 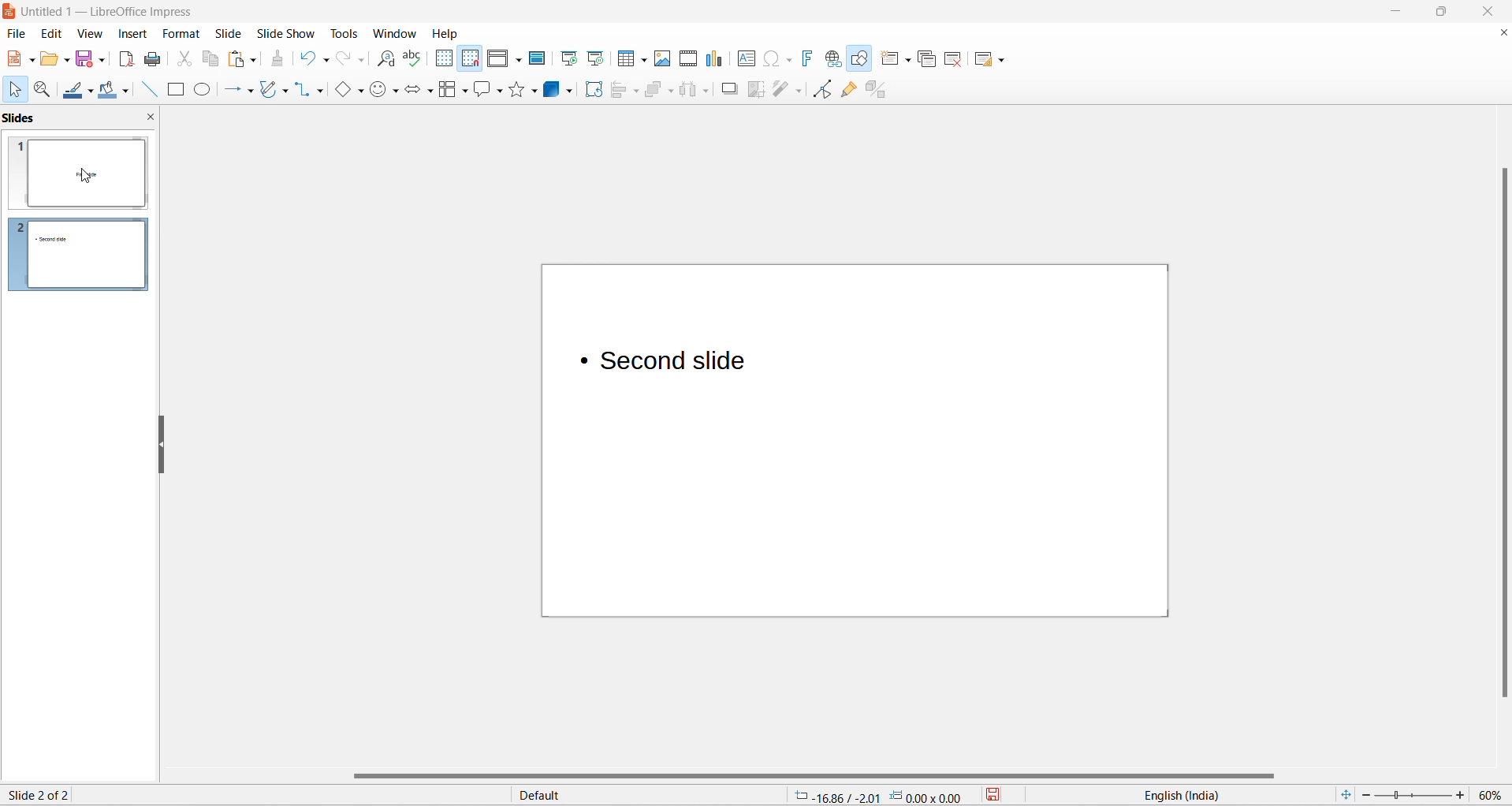 I want to click on master slide, so click(x=541, y=58).